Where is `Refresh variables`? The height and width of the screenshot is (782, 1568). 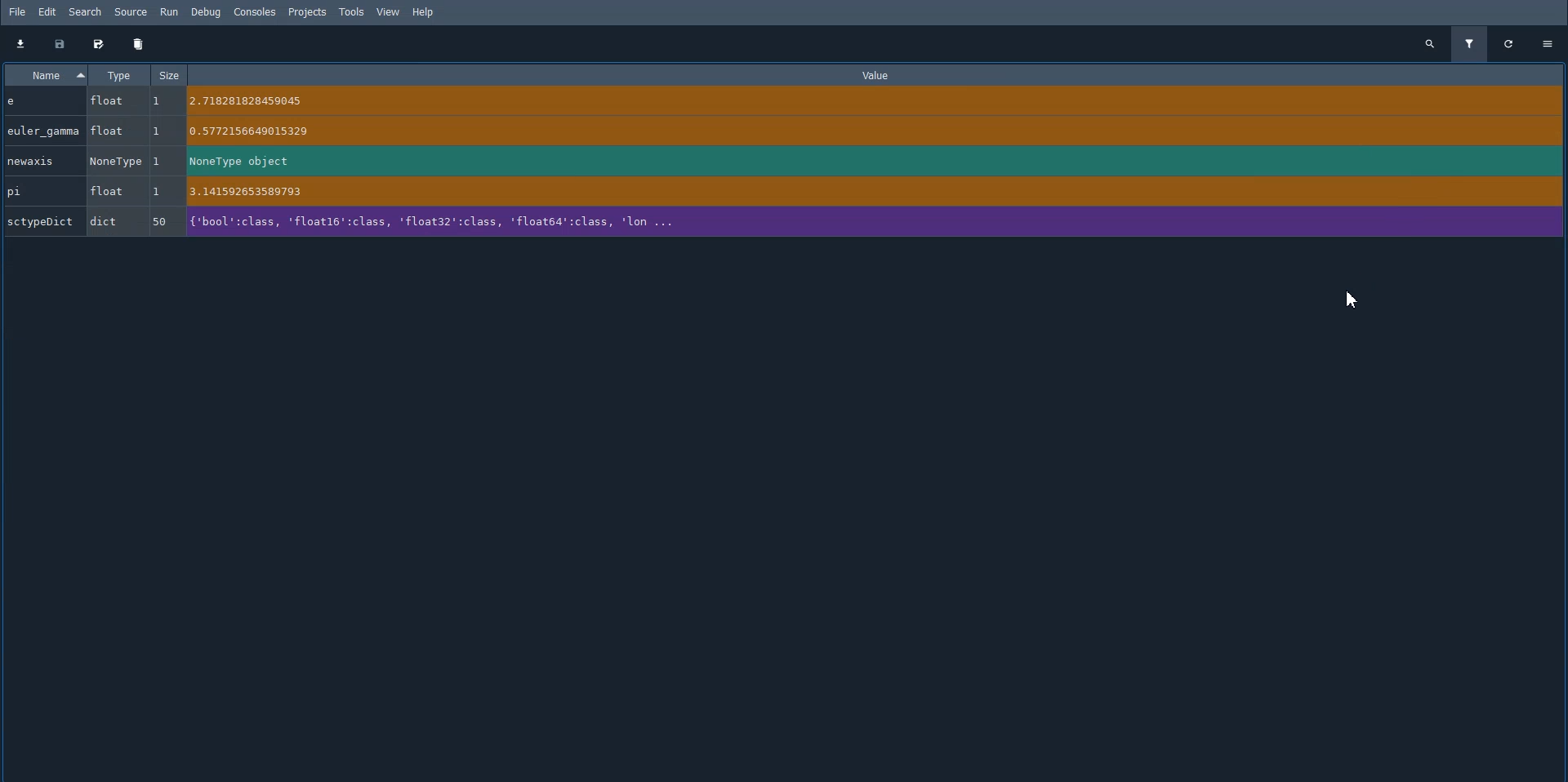
Refresh variables is located at coordinates (1509, 43).